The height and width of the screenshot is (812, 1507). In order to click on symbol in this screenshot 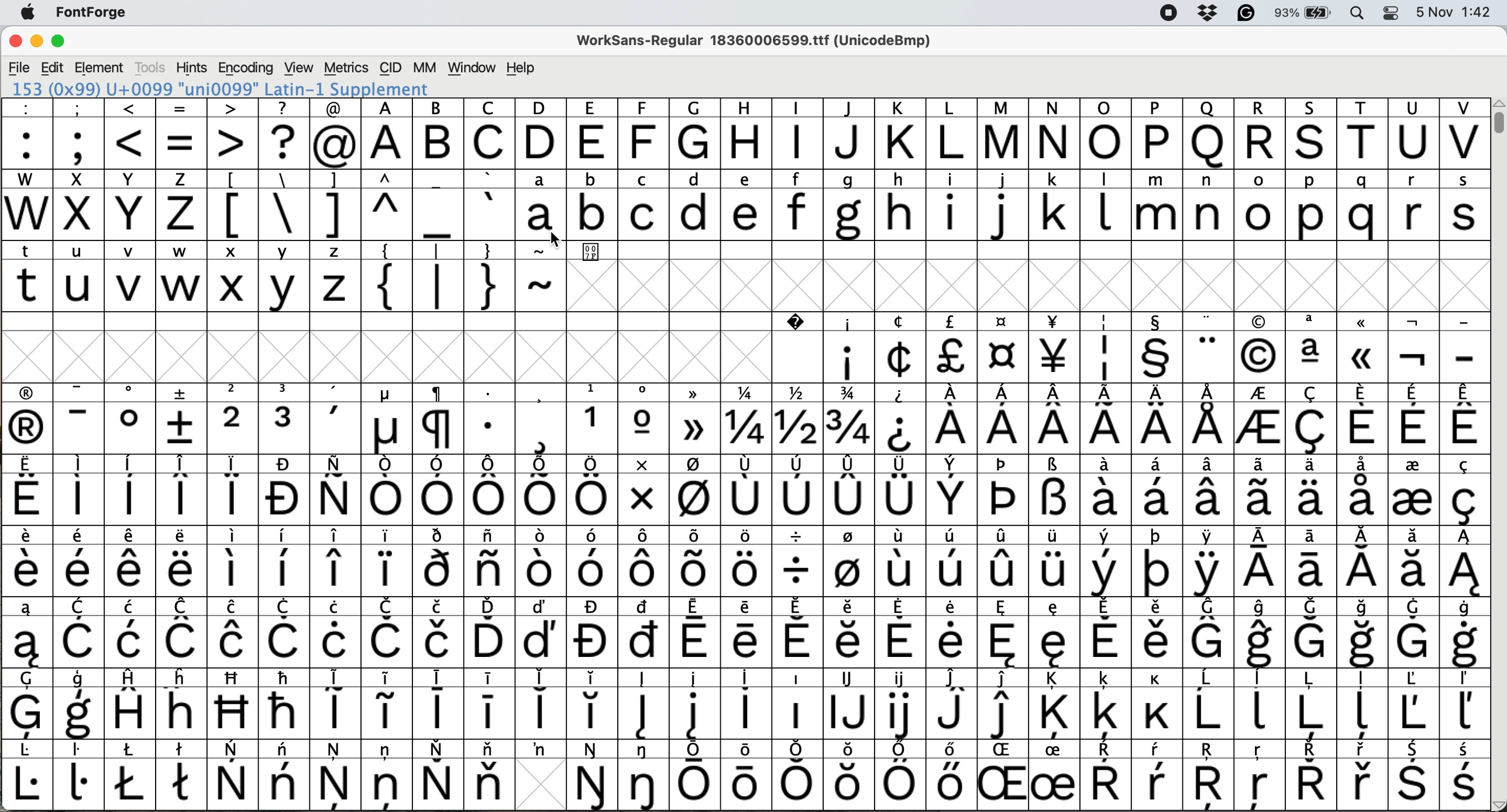, I will do `click(80, 705)`.